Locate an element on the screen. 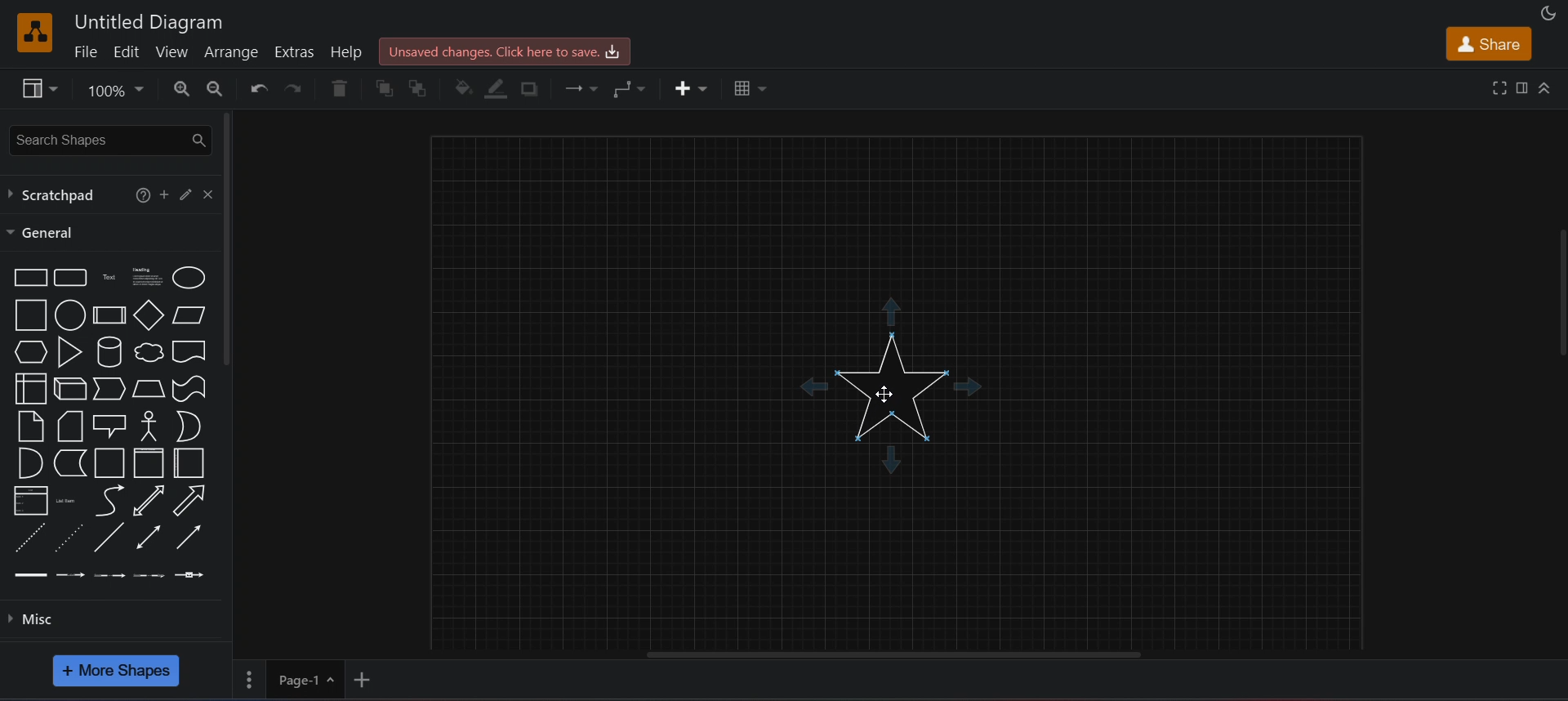 This screenshot has height=701, width=1568. add new page is located at coordinates (365, 680).